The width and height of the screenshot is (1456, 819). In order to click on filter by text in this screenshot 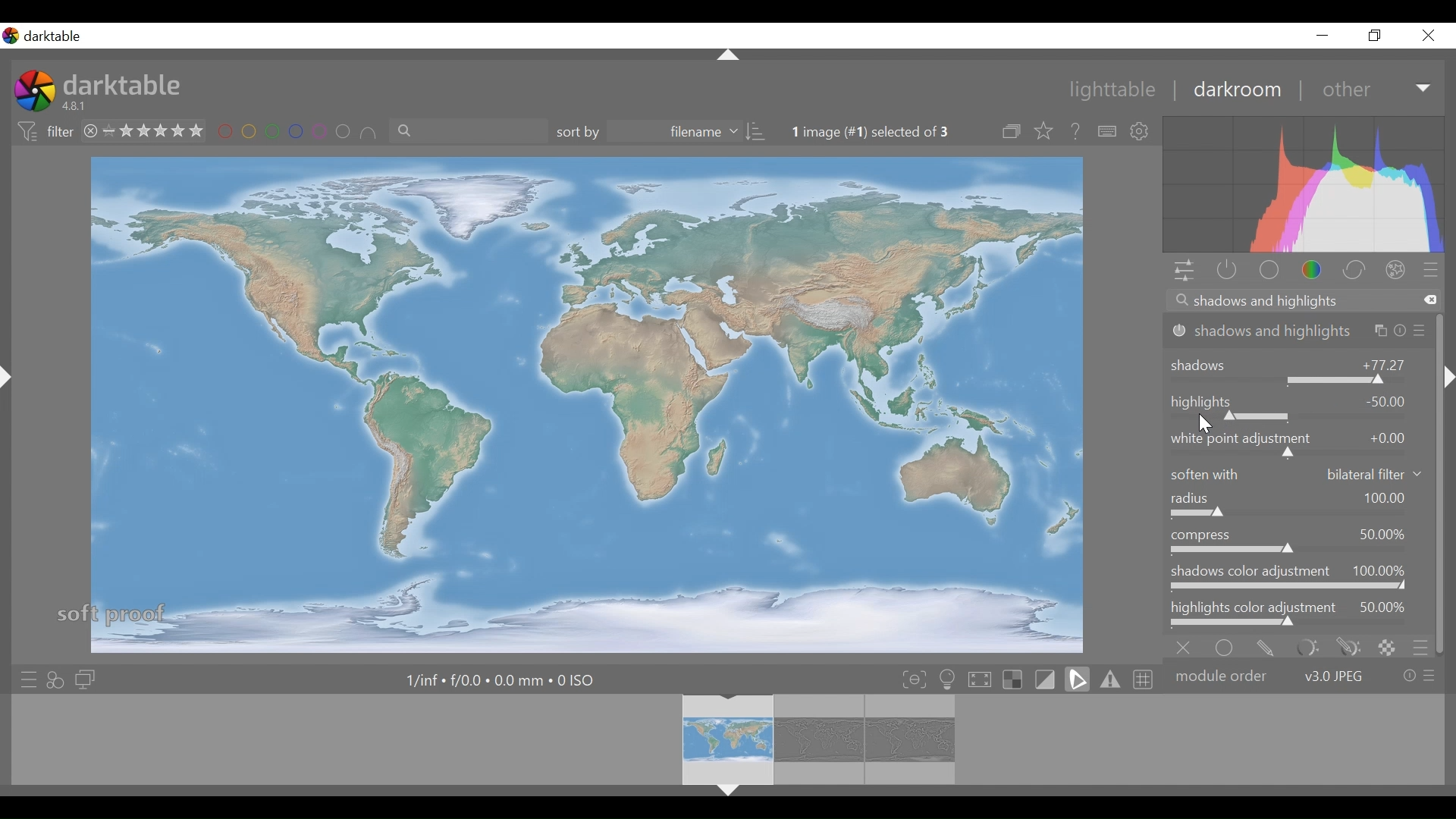, I will do `click(468, 133)`.